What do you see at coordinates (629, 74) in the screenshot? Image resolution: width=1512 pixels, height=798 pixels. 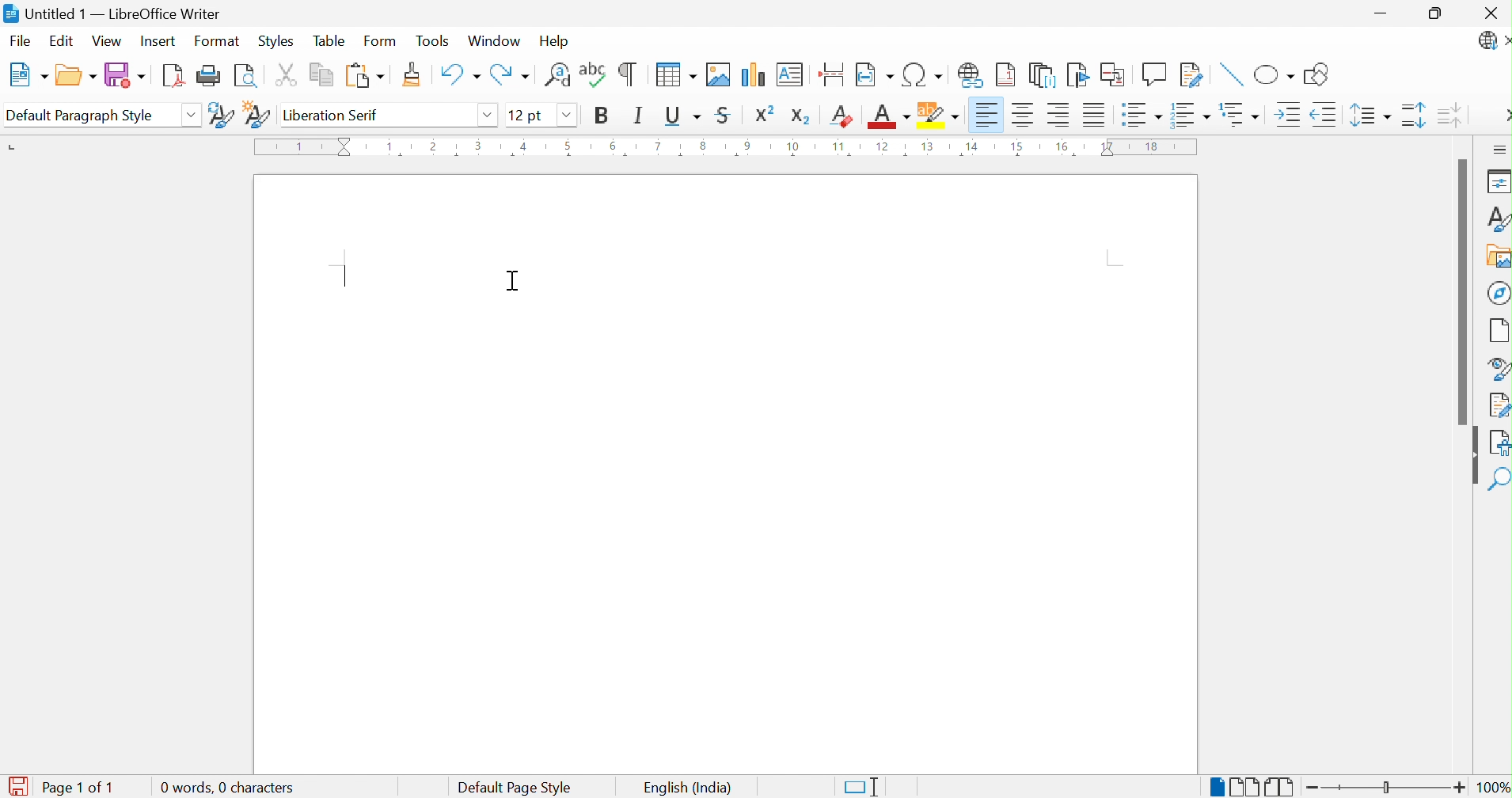 I see `Toggle Formatting Marks` at bounding box center [629, 74].